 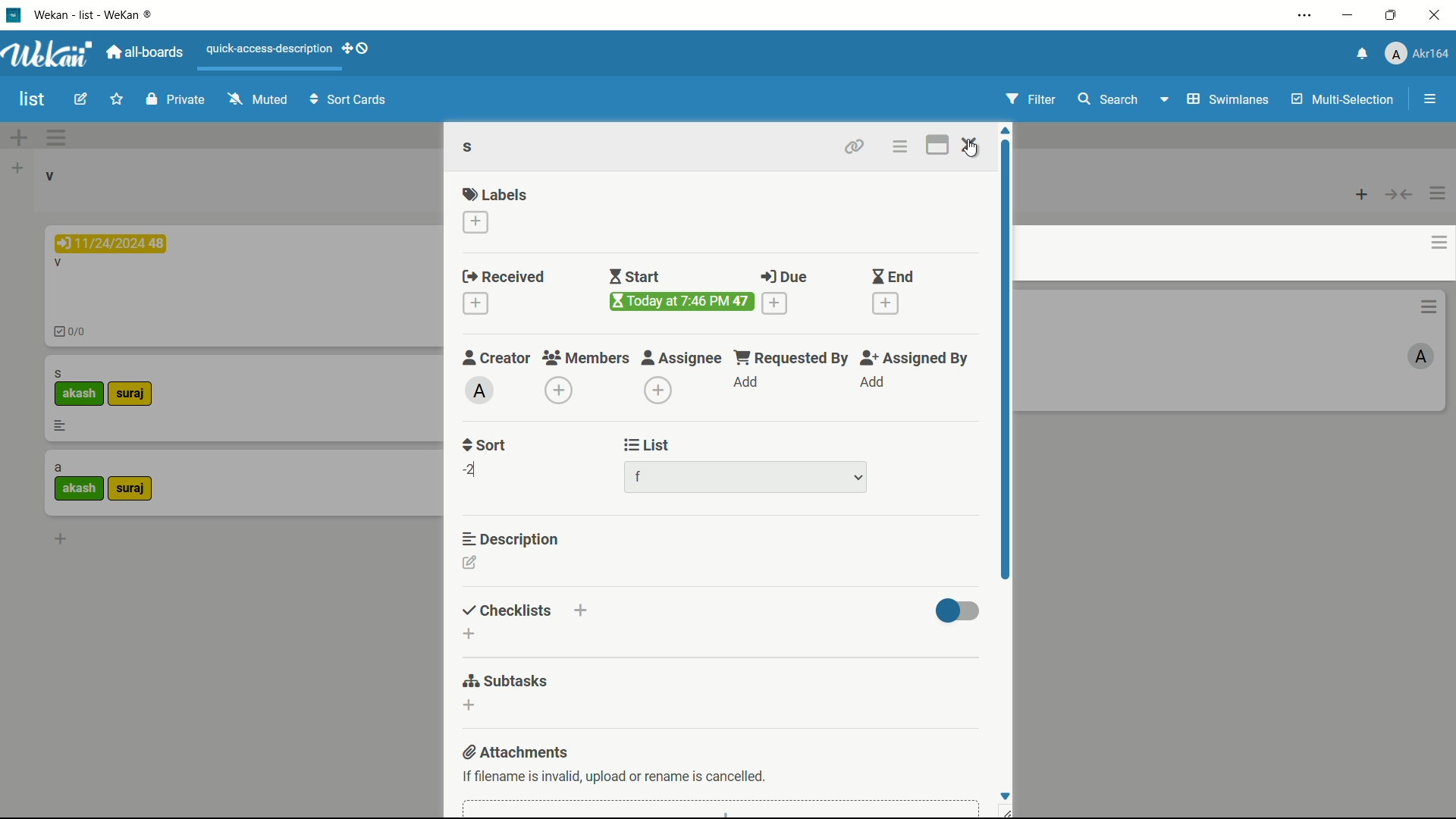 What do you see at coordinates (33, 100) in the screenshot?
I see `board name` at bounding box center [33, 100].